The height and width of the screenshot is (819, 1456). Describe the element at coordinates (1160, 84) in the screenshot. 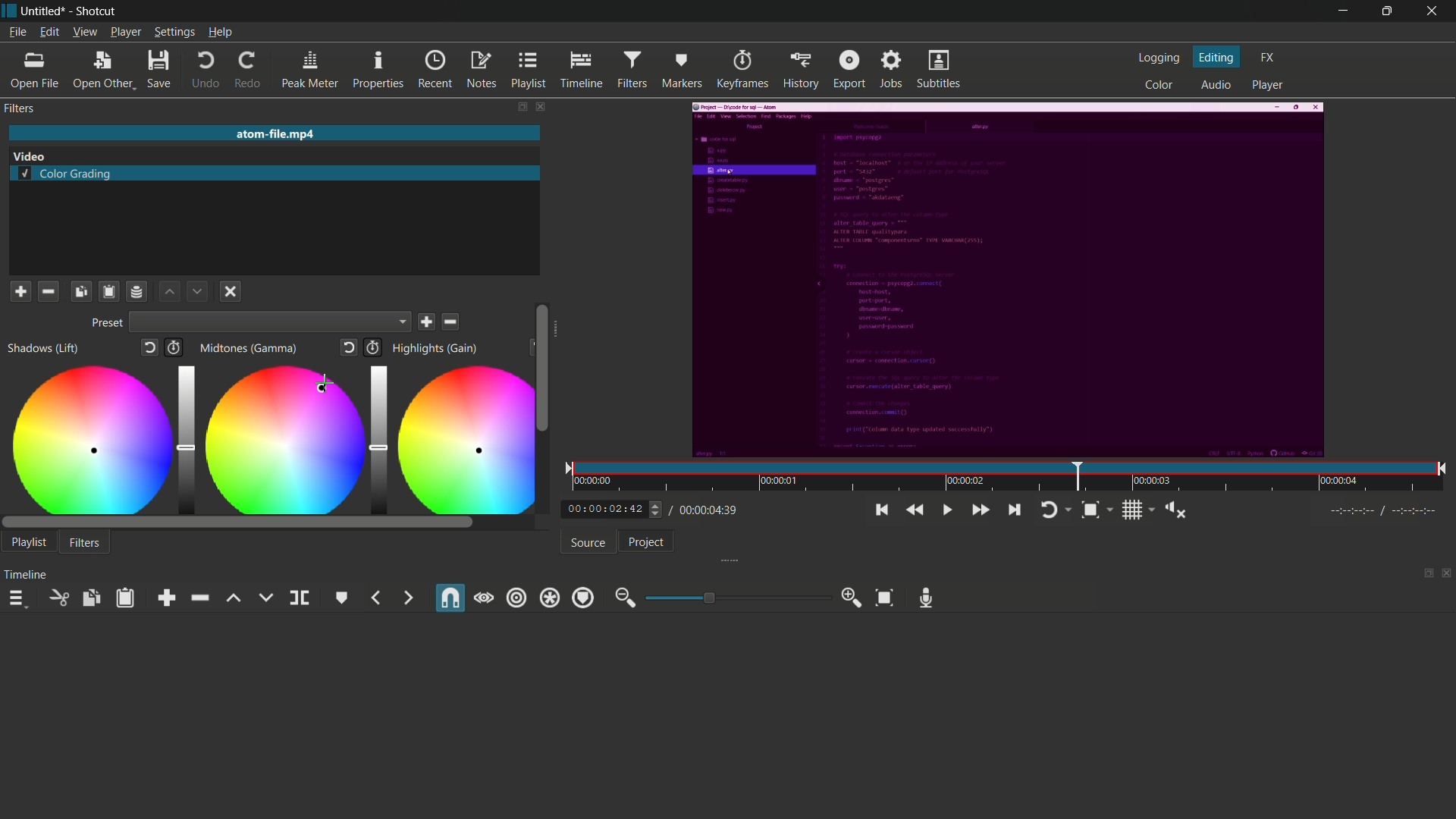

I see `color` at that location.